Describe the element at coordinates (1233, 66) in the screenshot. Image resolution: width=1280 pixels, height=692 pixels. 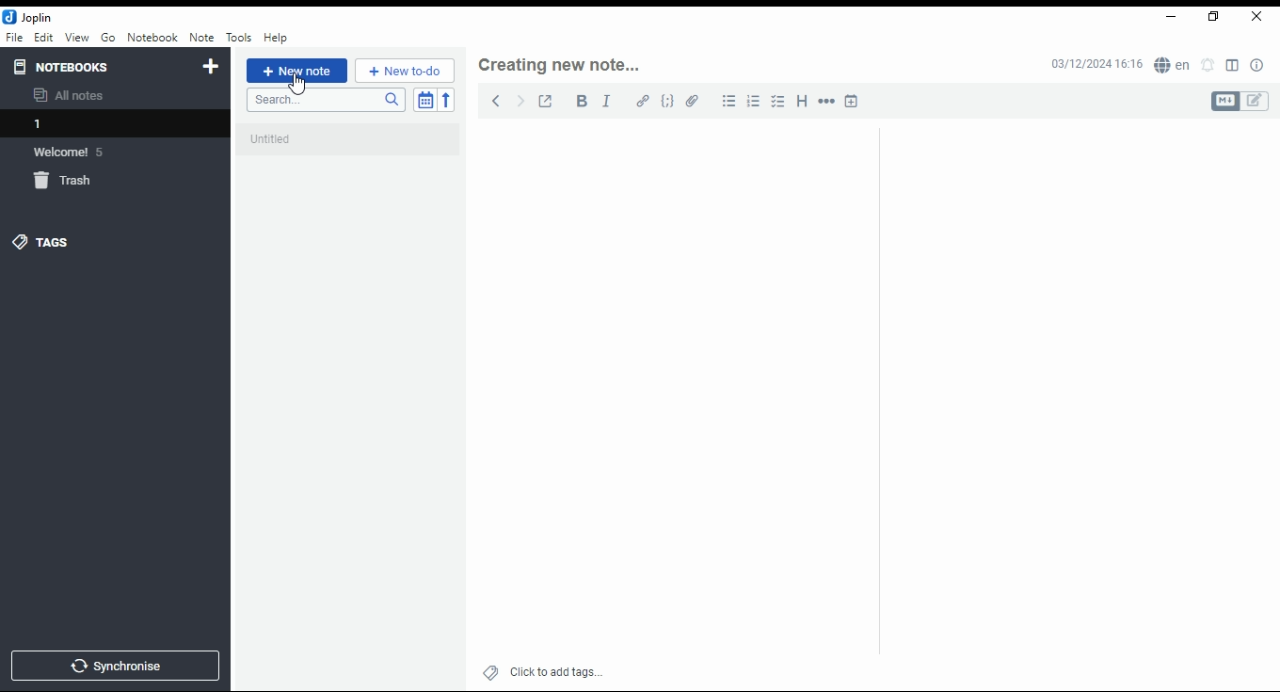
I see `toggle layout` at that location.